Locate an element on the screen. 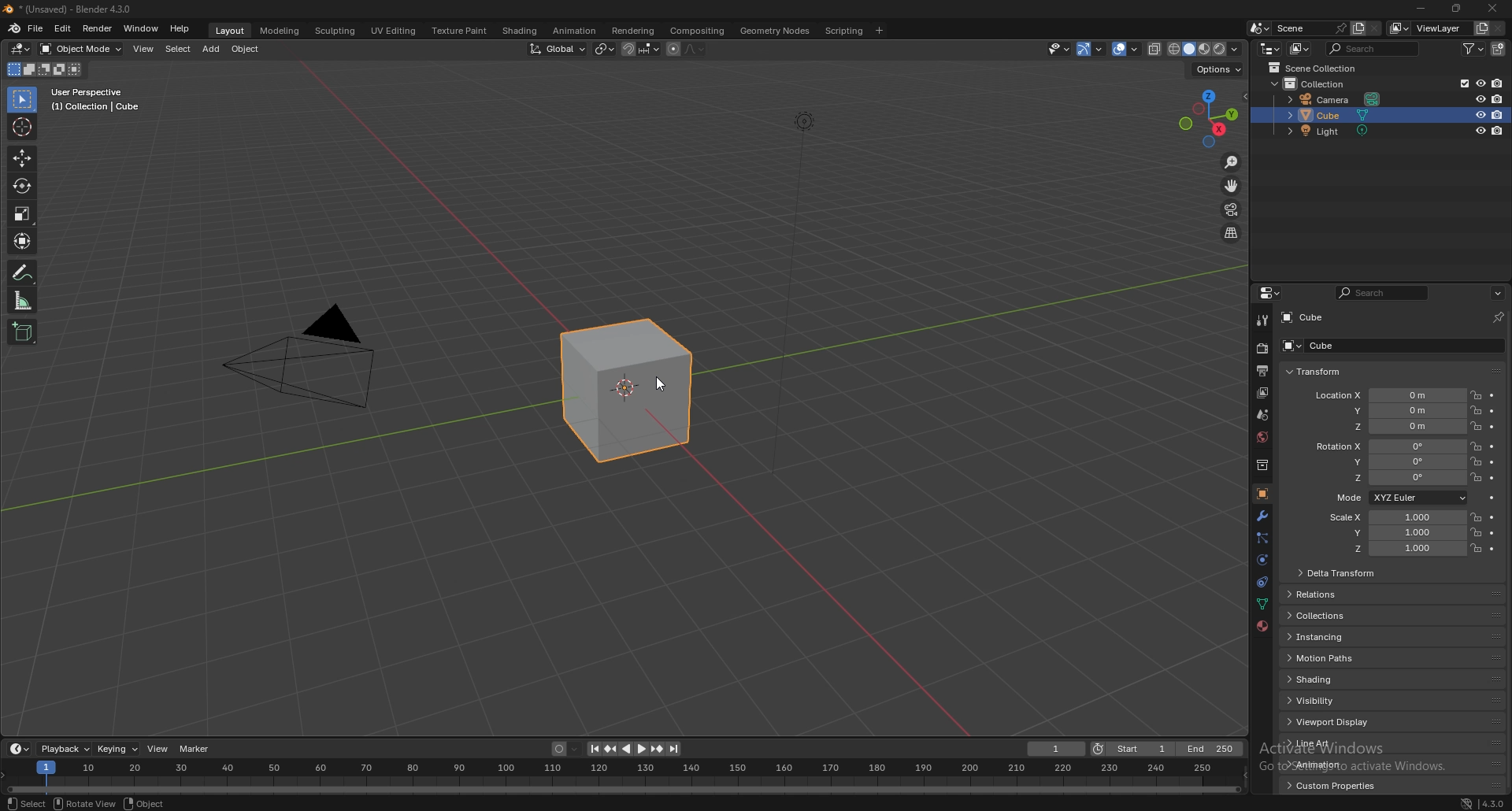  transform pivot points is located at coordinates (606, 49).